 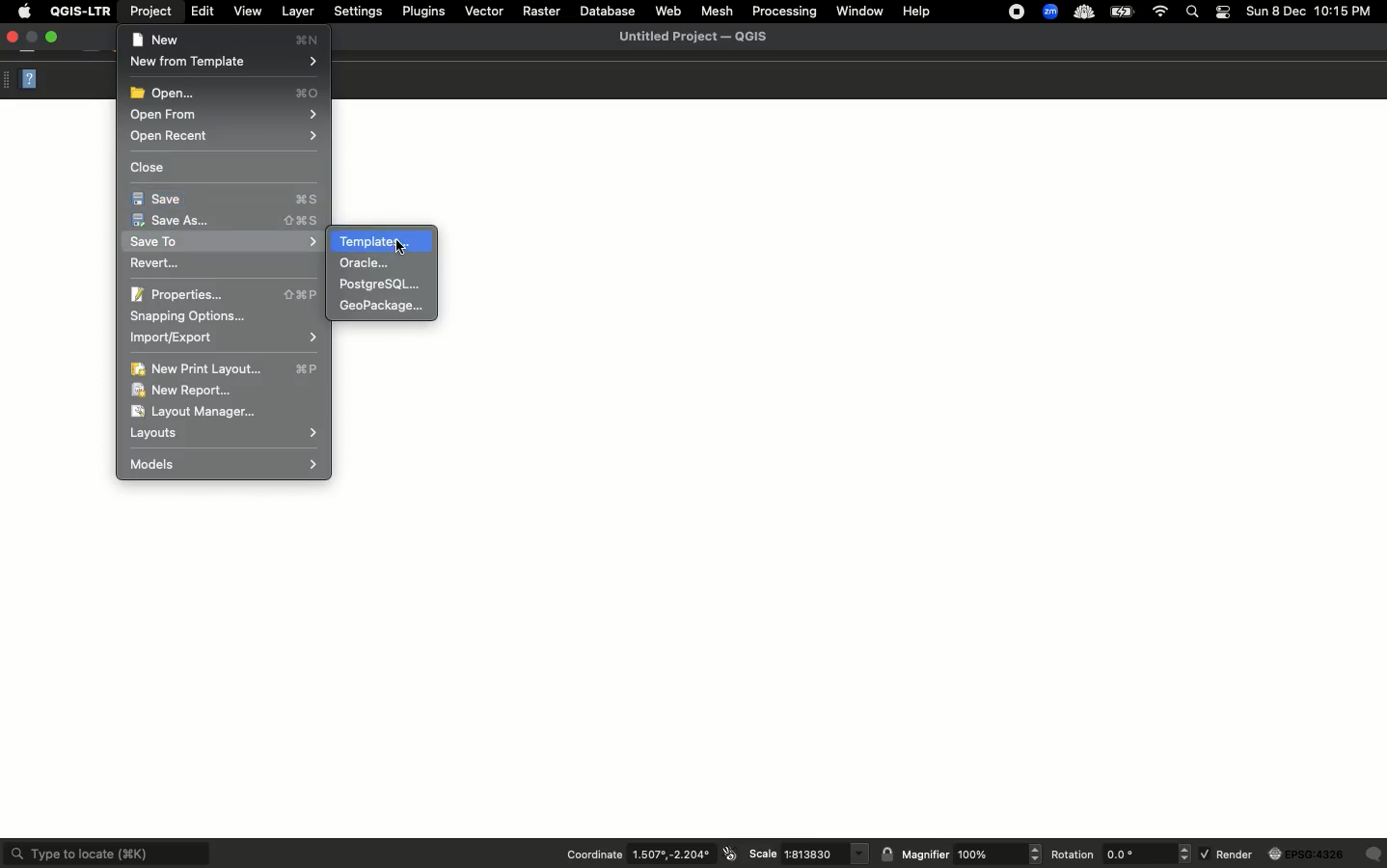 I want to click on Models, so click(x=223, y=463).